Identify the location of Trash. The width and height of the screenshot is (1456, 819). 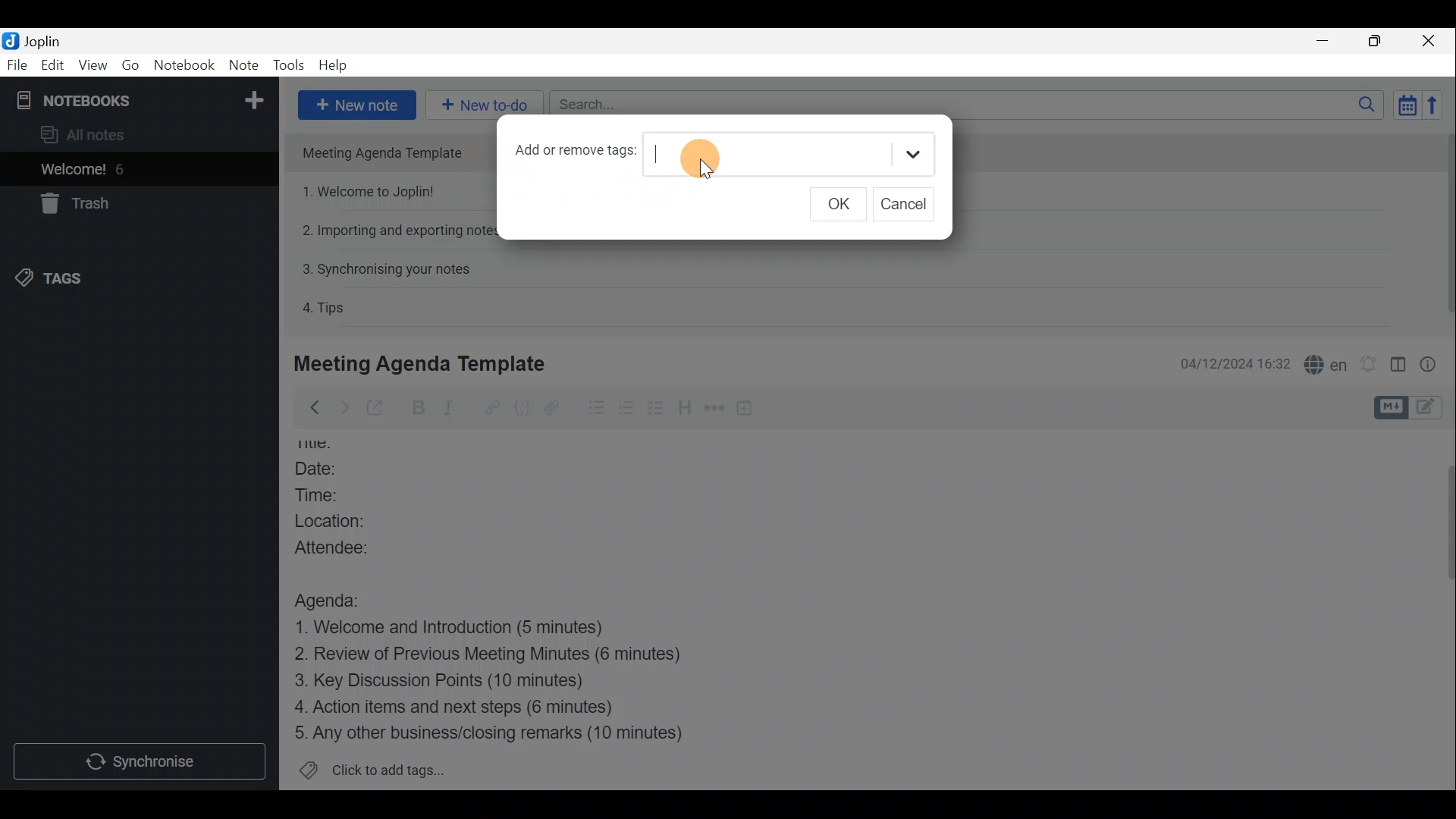
(72, 203).